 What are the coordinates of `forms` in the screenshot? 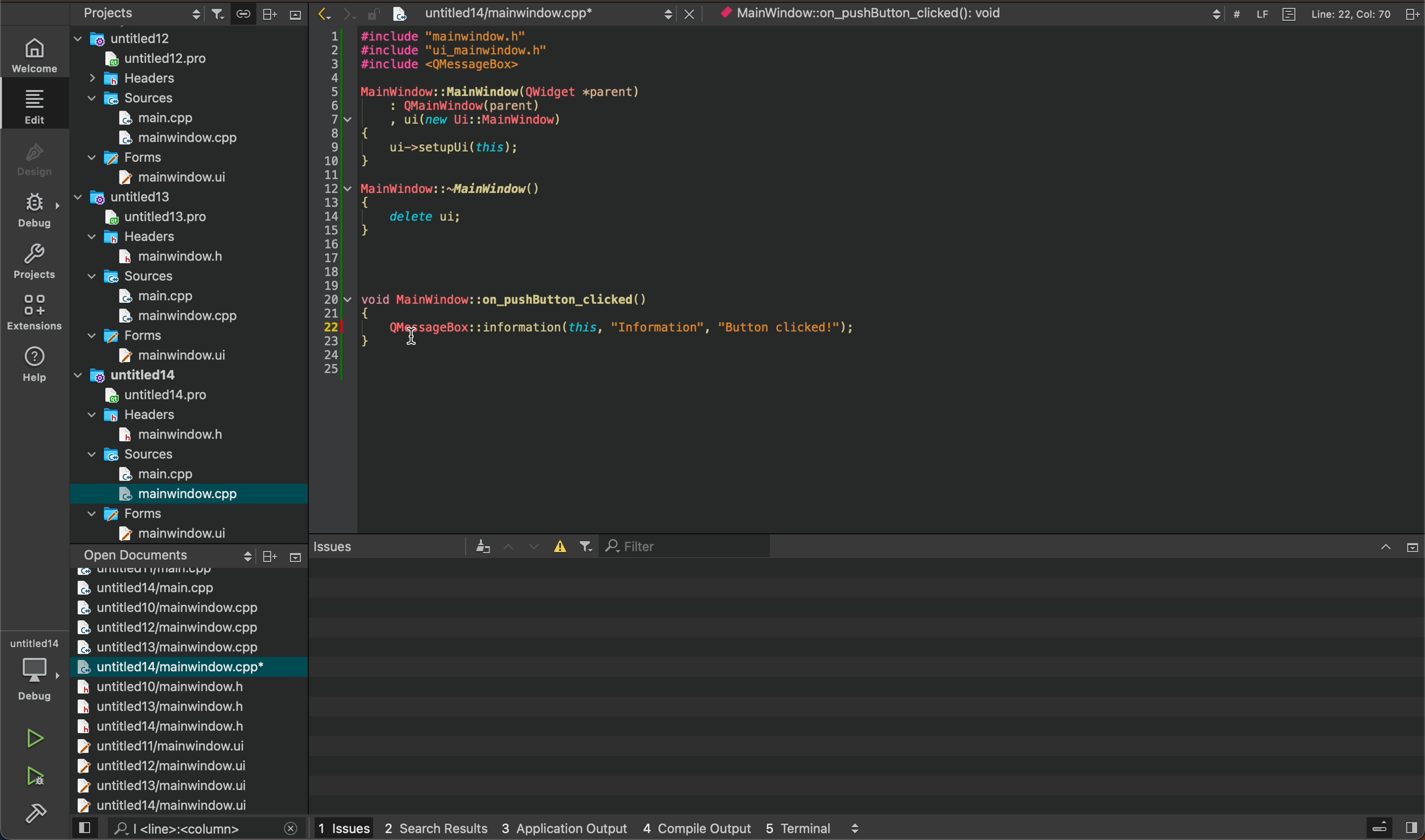 It's located at (136, 512).